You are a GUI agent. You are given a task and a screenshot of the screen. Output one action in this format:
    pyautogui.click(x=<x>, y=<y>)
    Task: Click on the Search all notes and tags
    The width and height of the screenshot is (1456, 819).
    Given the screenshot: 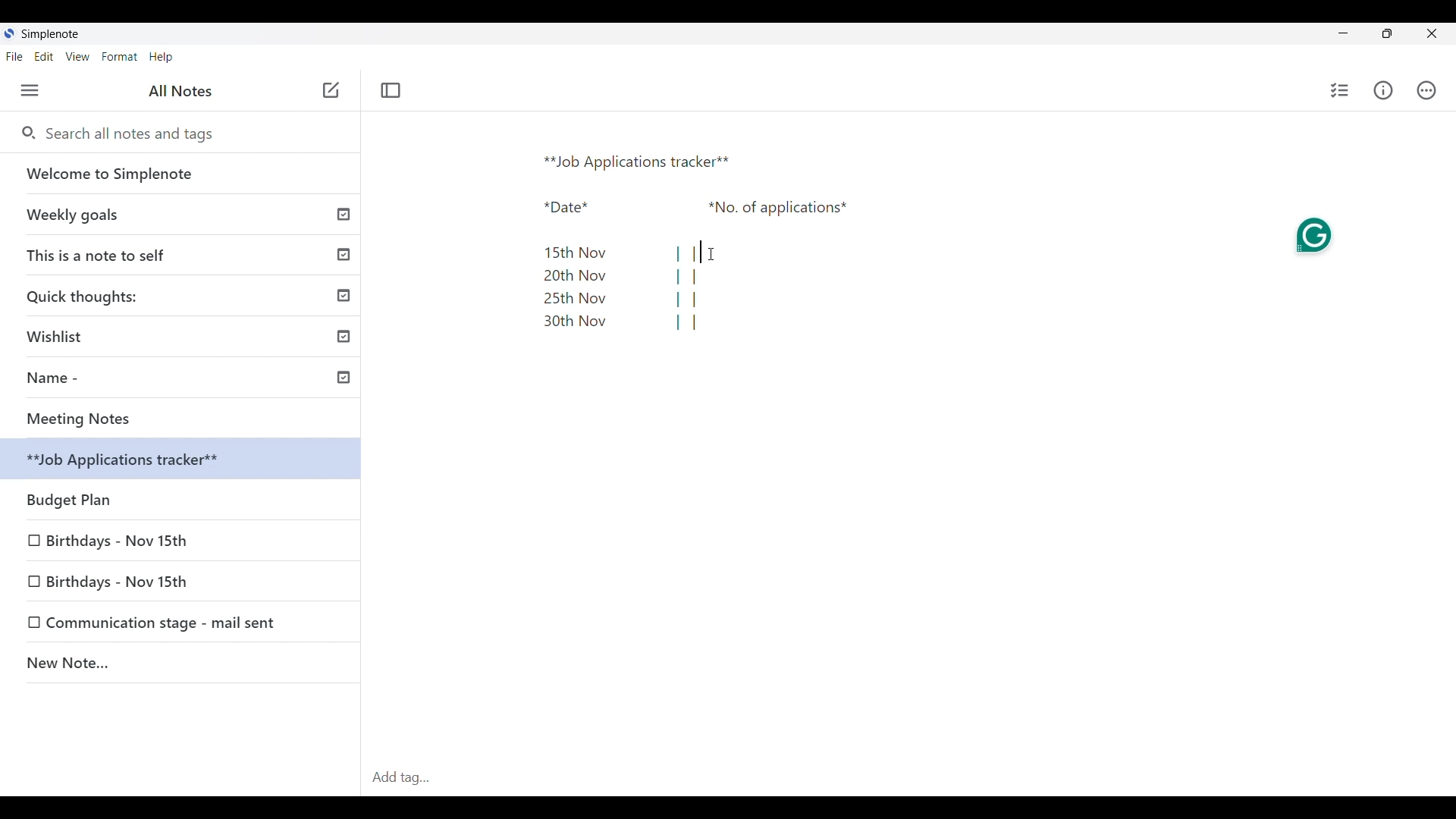 What is the action you would take?
    pyautogui.click(x=135, y=133)
    